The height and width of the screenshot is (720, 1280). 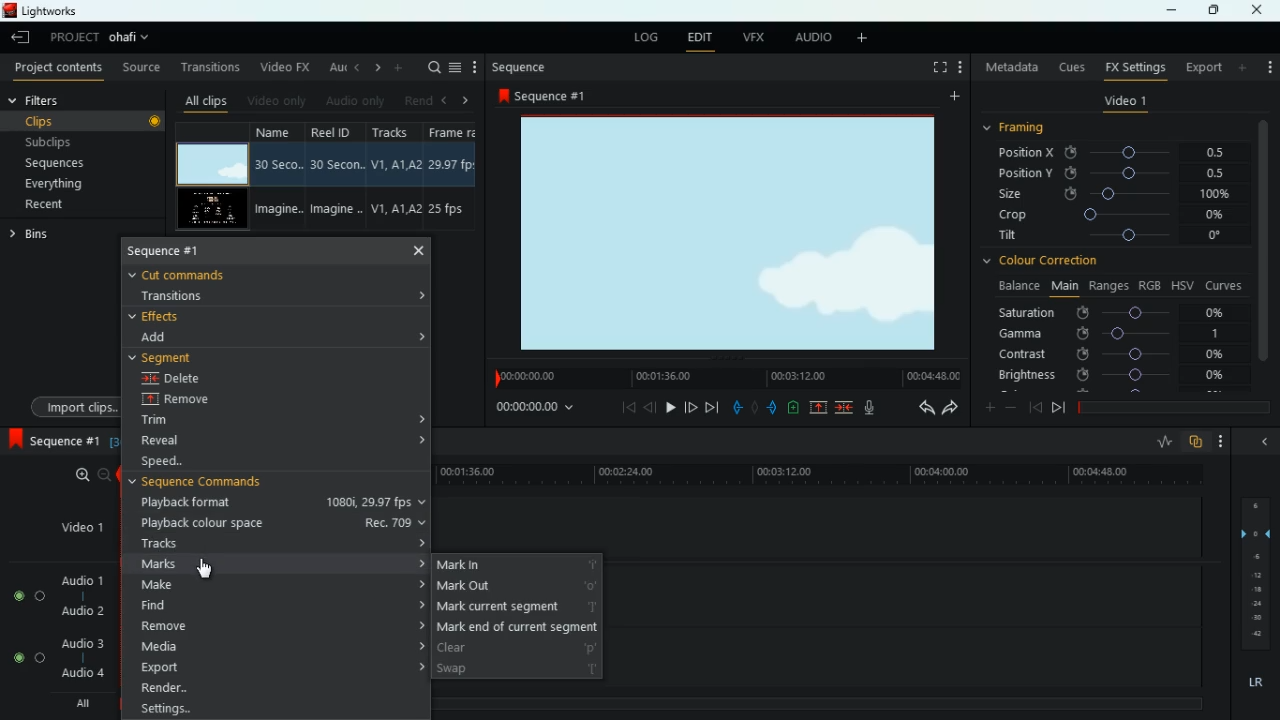 I want to click on add, so click(x=398, y=69).